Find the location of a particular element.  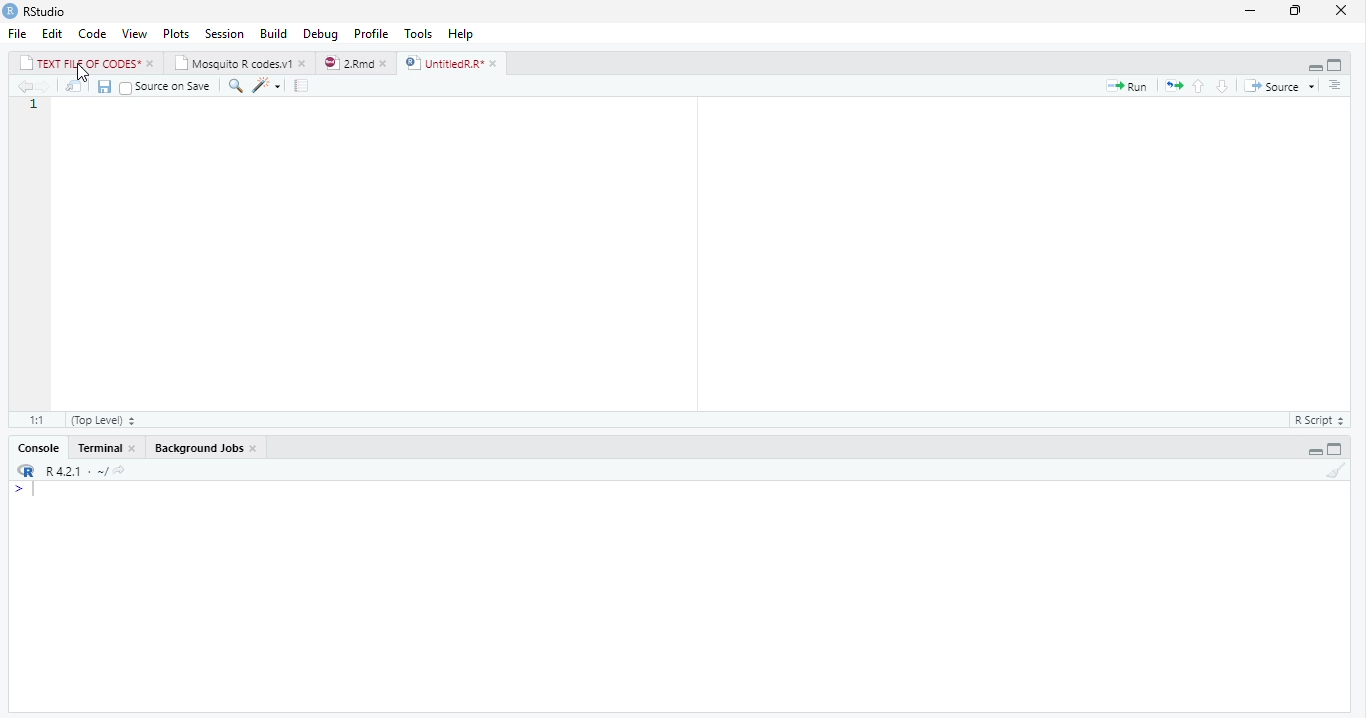

R 4.2.1 . ~/ is located at coordinates (86, 472).